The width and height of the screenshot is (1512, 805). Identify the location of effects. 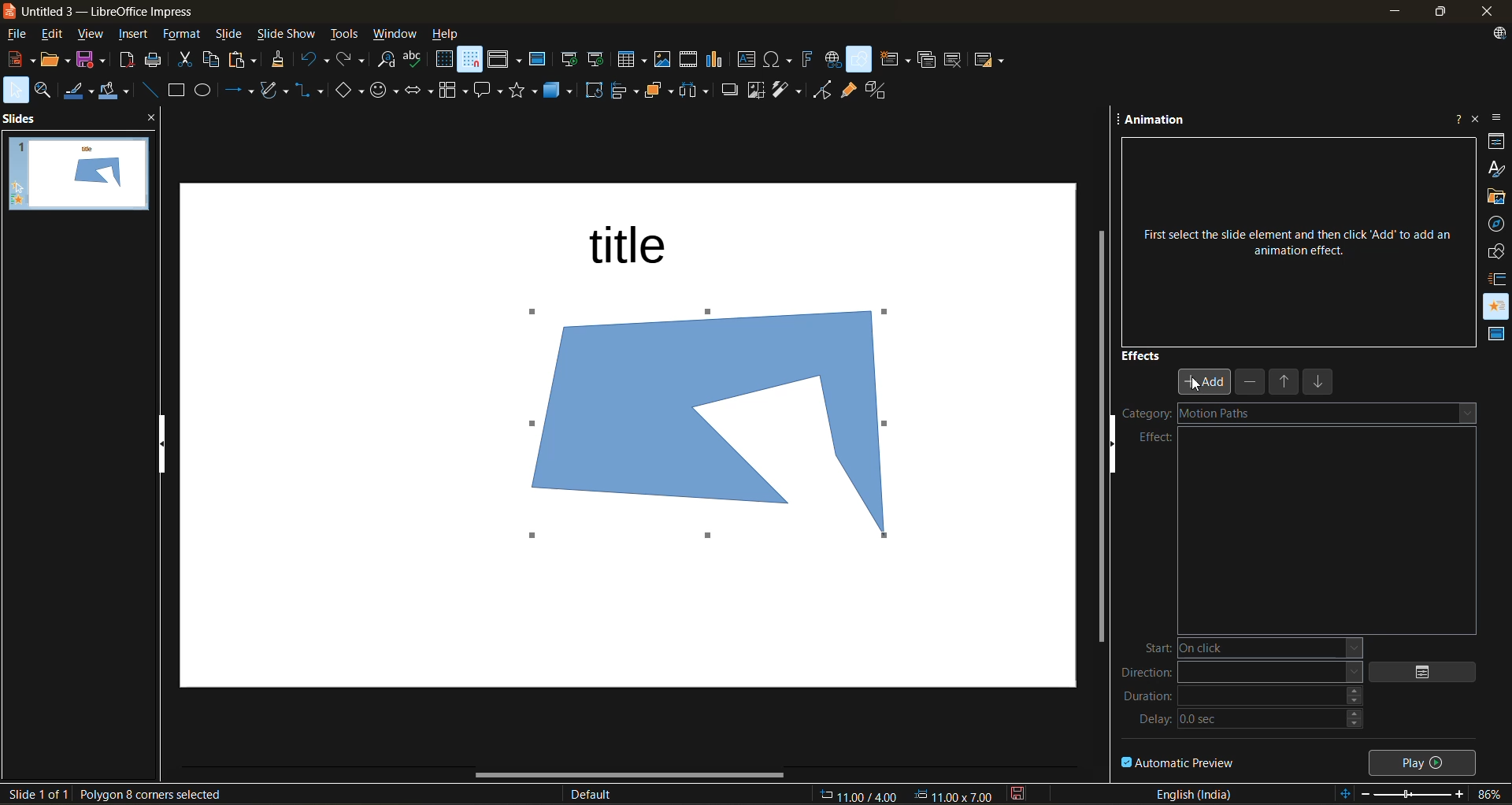
(1148, 354).